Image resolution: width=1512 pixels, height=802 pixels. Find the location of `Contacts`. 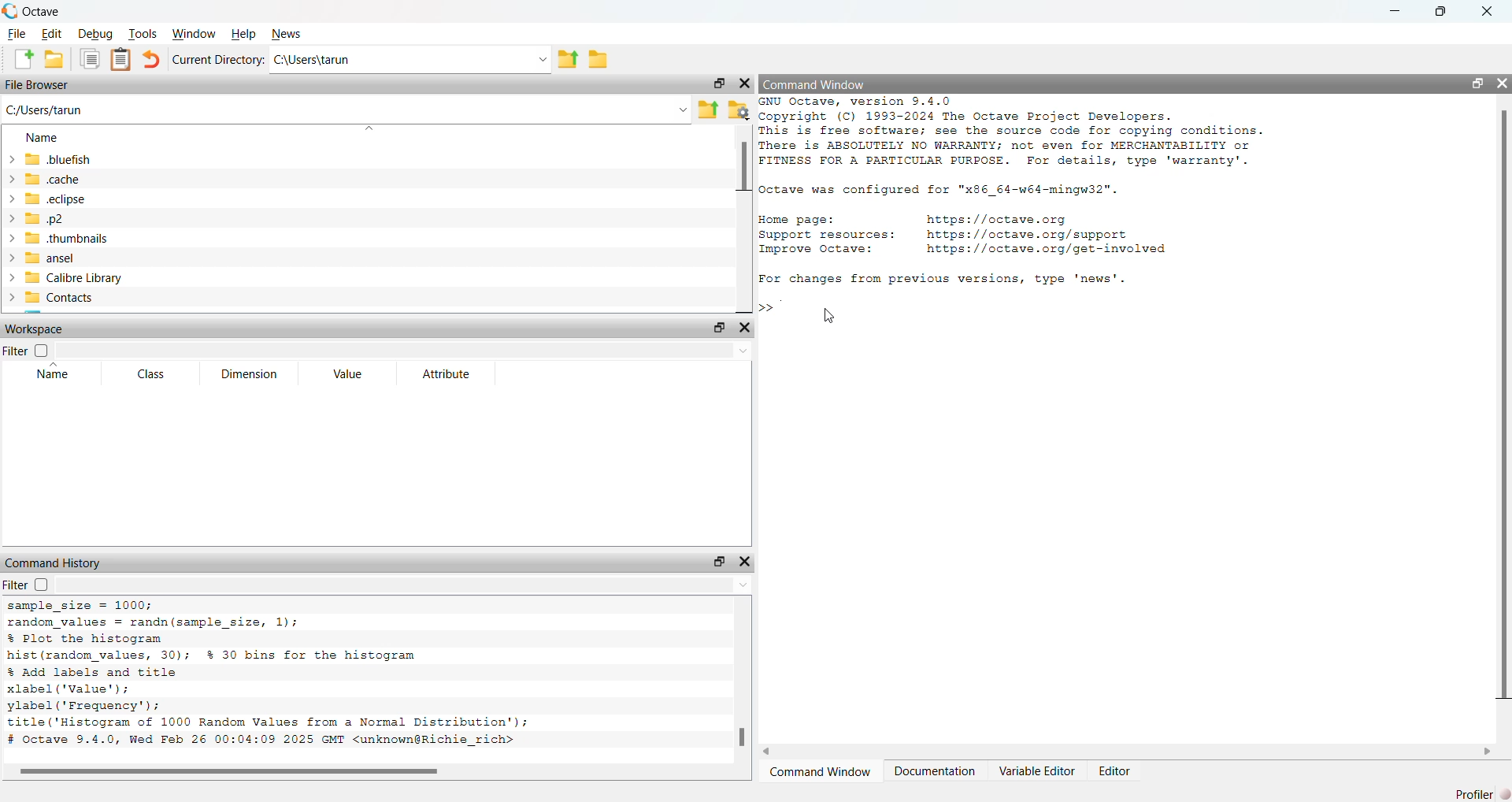

Contacts is located at coordinates (51, 297).